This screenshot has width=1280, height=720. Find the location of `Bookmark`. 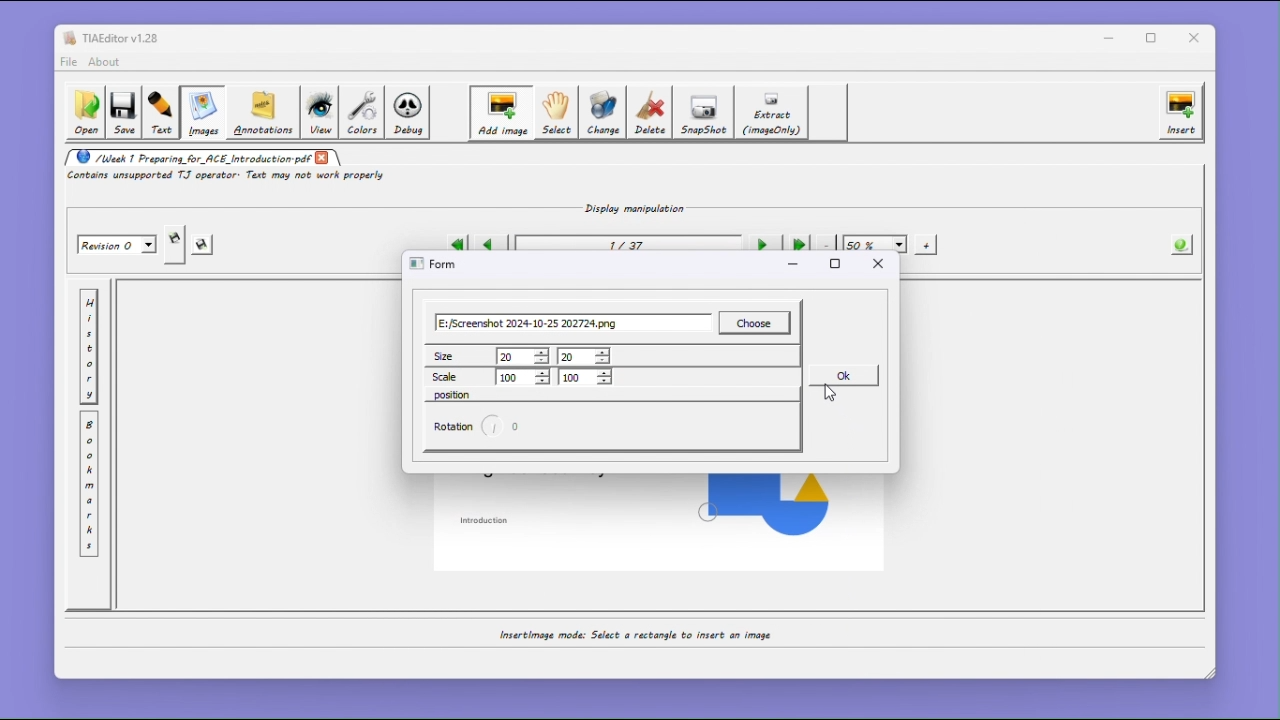

Bookmark is located at coordinates (89, 485).